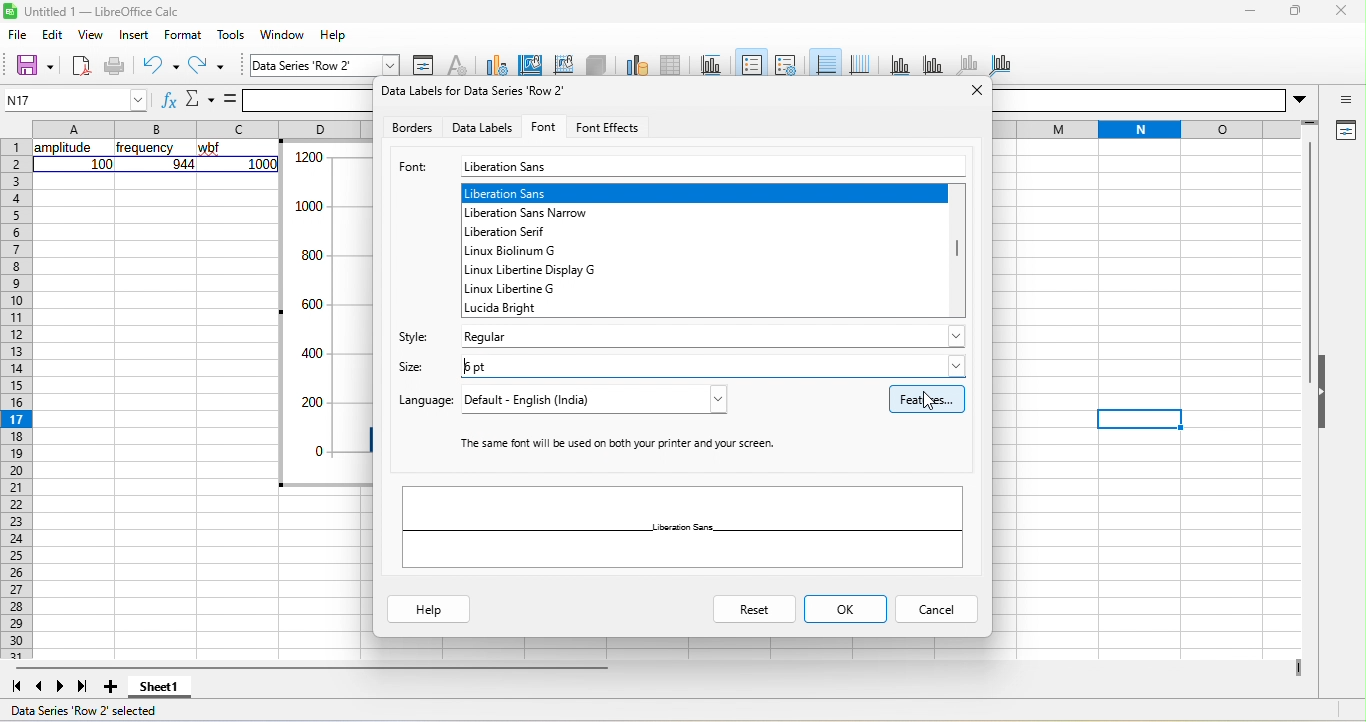 This screenshot has width=1366, height=722. What do you see at coordinates (939, 610) in the screenshot?
I see `cancel` at bounding box center [939, 610].